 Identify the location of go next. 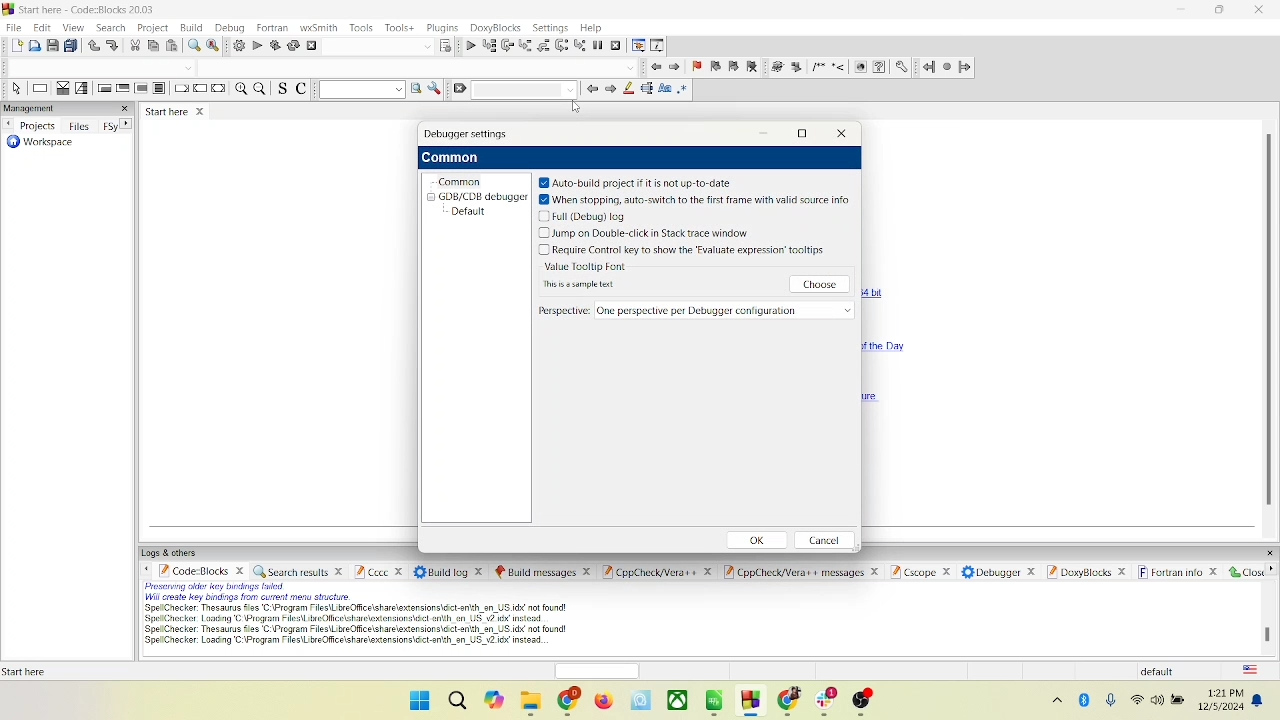
(674, 66).